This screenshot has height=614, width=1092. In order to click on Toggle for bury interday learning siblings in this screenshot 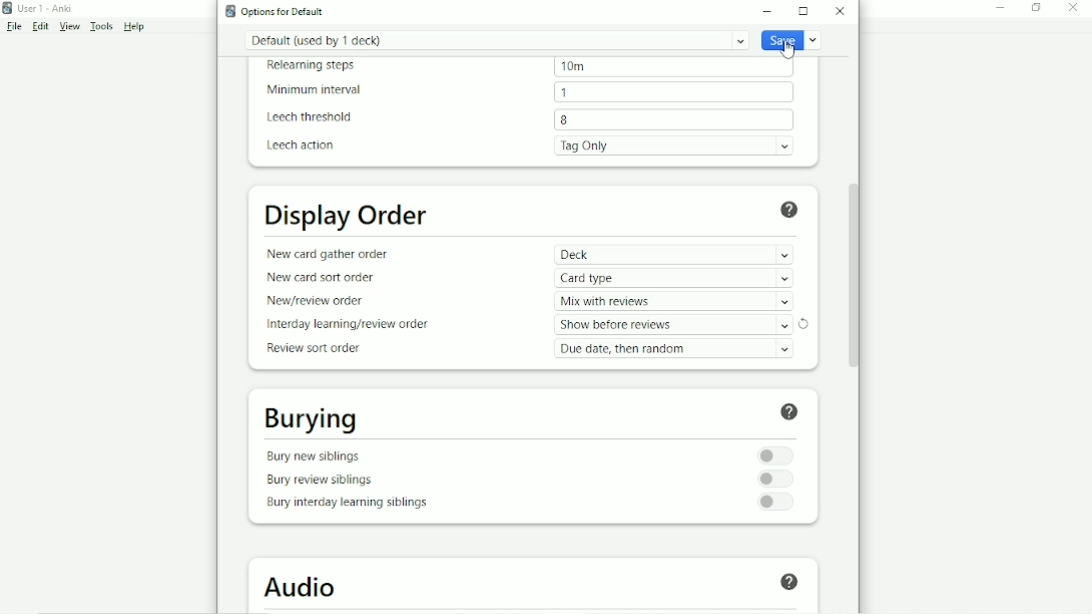, I will do `click(776, 502)`.